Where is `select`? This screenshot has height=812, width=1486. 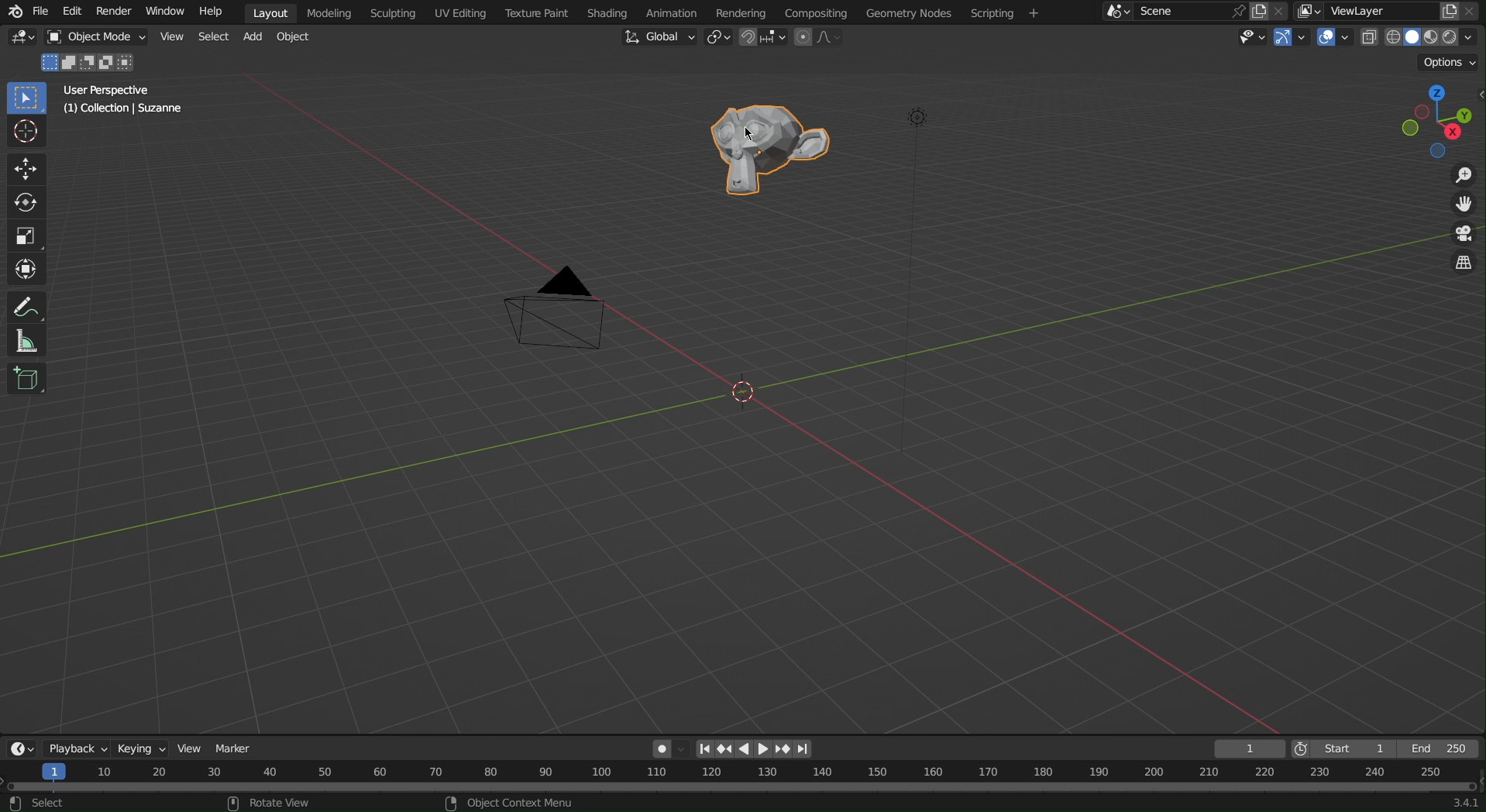
select is located at coordinates (50, 803).